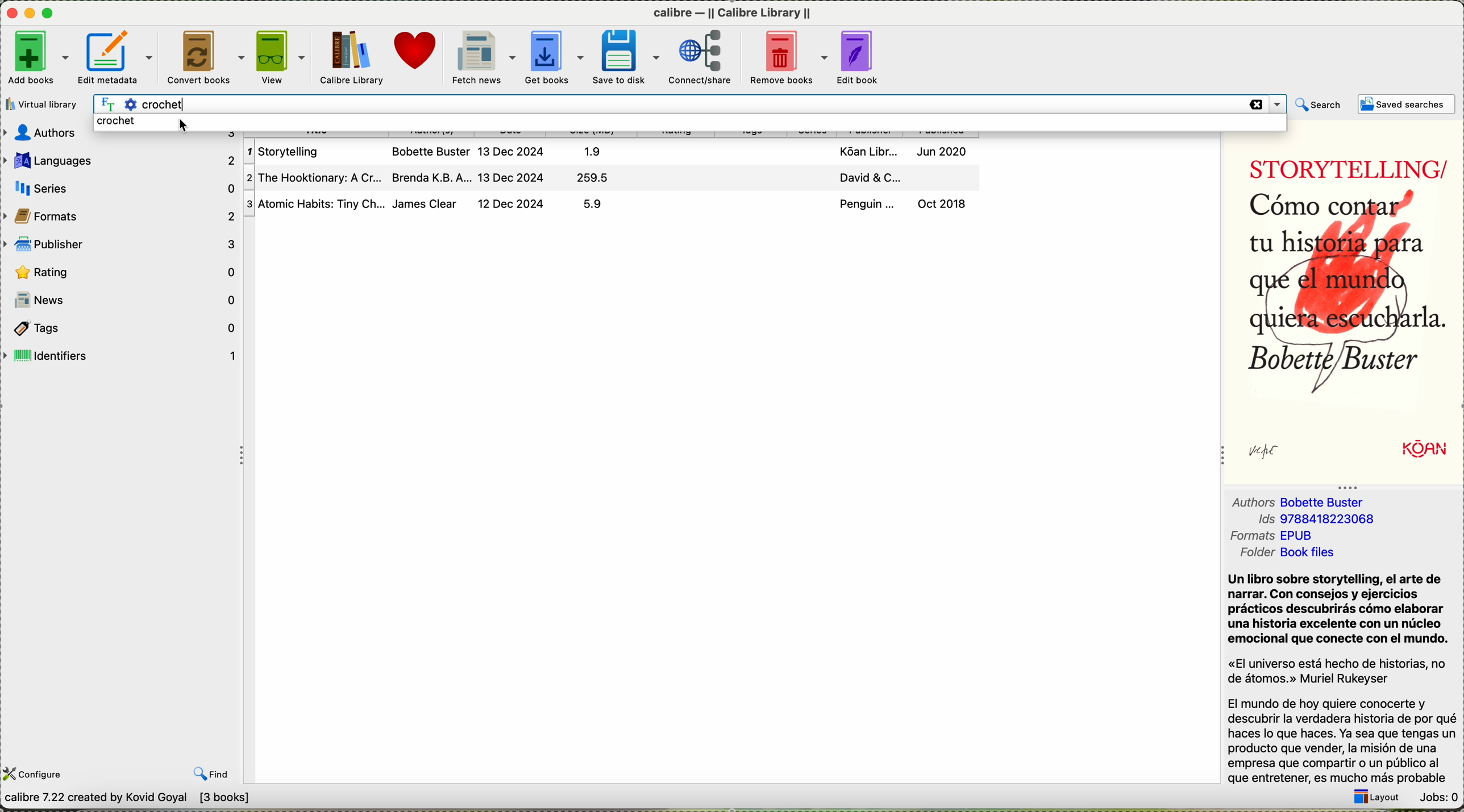 This screenshot has height=812, width=1464. What do you see at coordinates (431, 150) in the screenshot?
I see `Bobette Buter` at bounding box center [431, 150].